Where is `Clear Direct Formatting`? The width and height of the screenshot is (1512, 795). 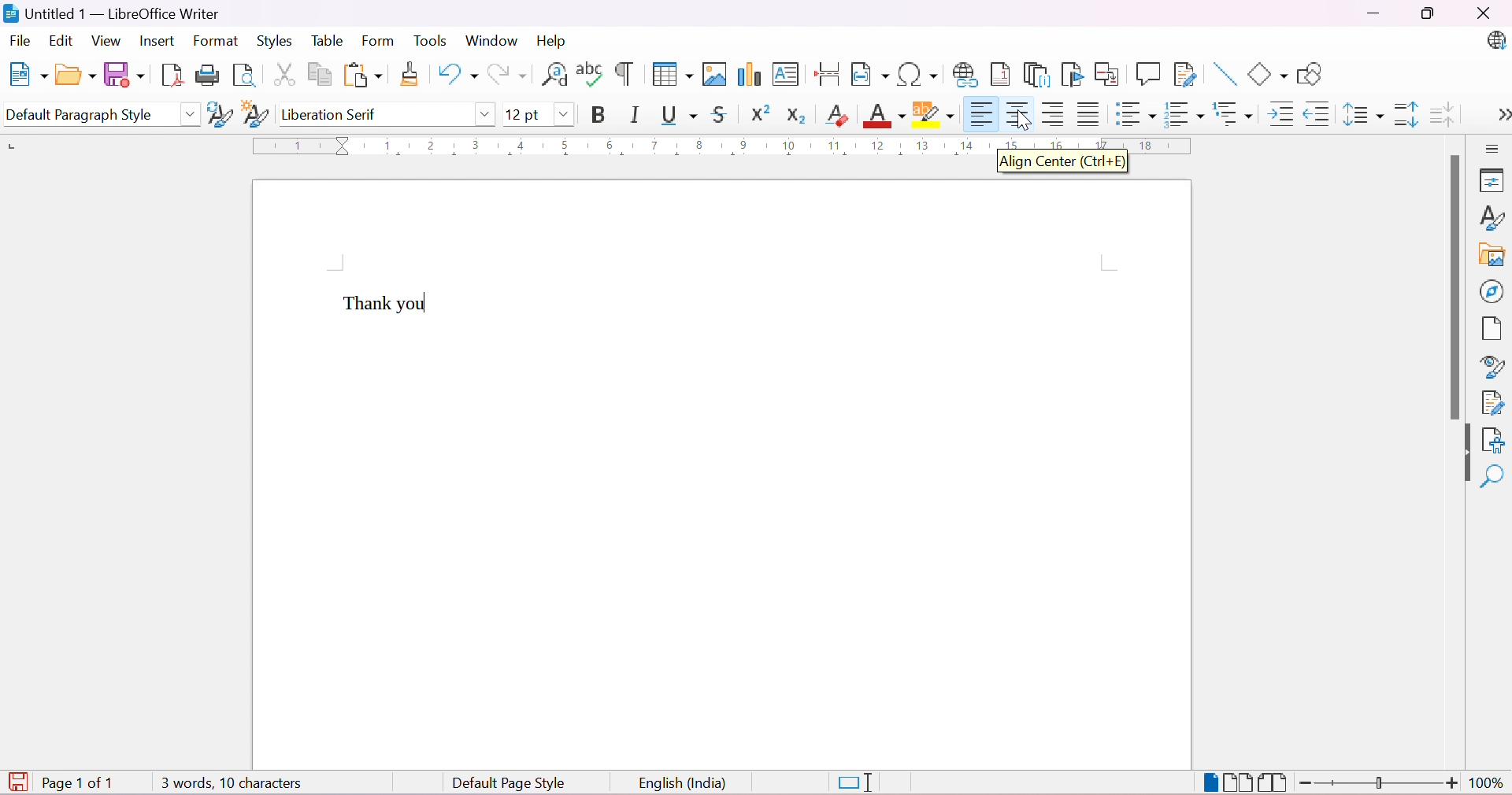 Clear Direct Formatting is located at coordinates (836, 114).